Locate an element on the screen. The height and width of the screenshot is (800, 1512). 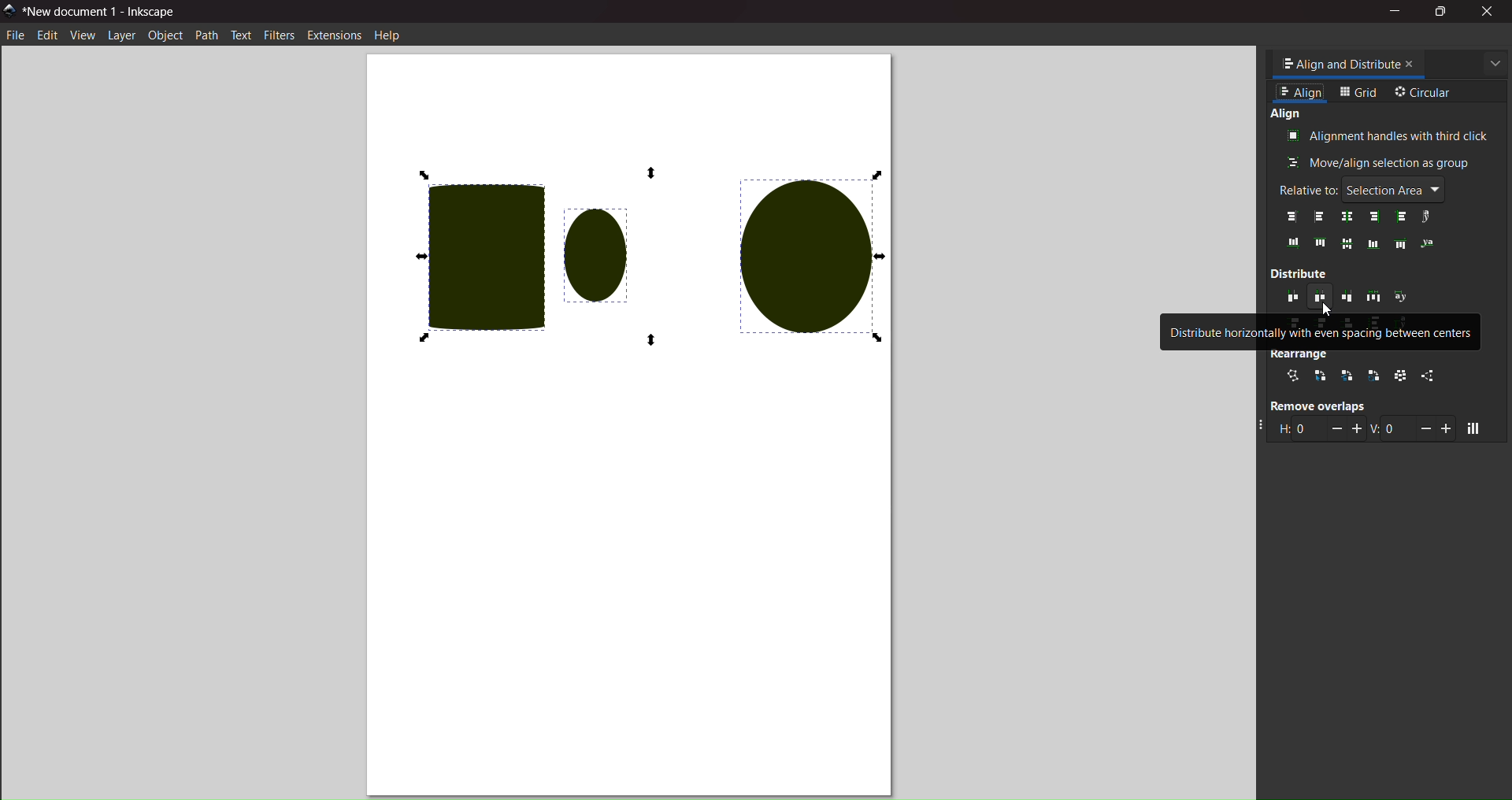
move/align as group is located at coordinates (1380, 165).